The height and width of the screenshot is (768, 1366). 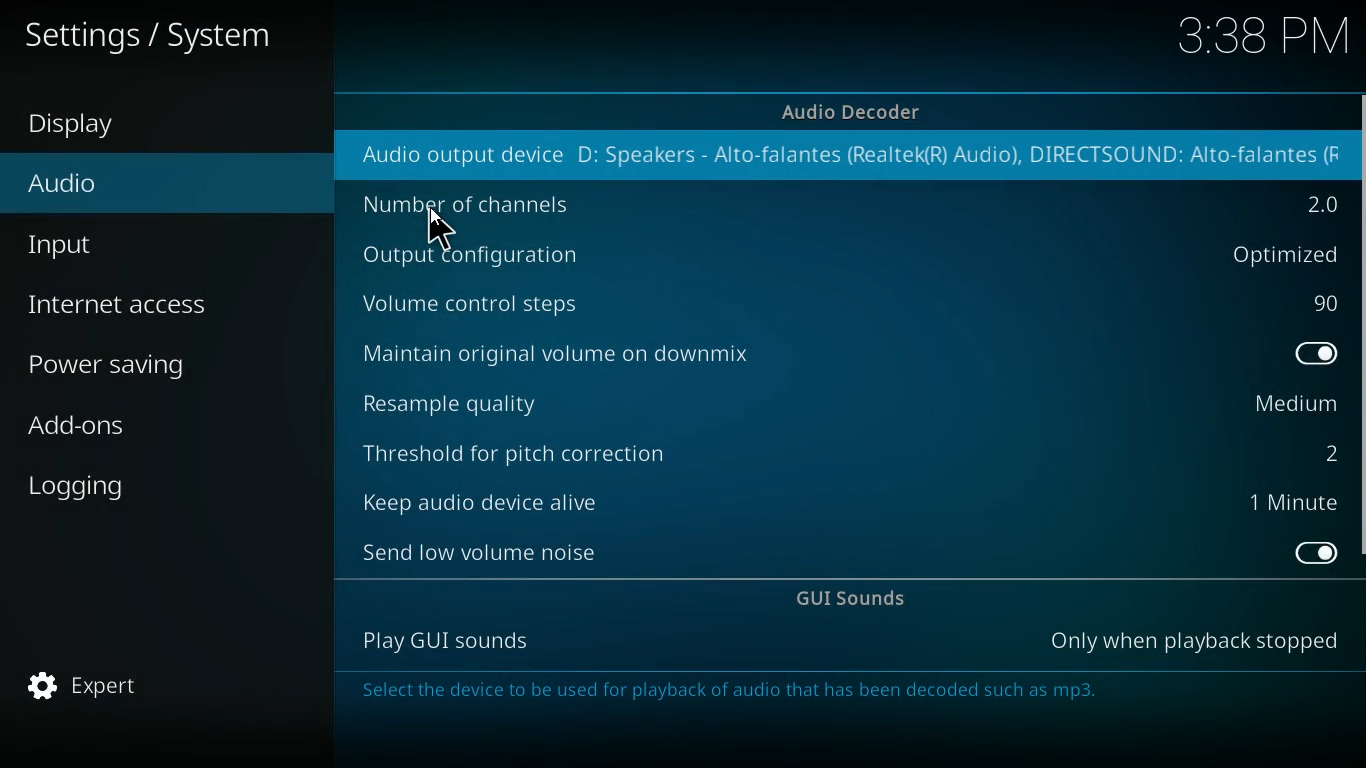 I want to click on output configuration, so click(x=482, y=258).